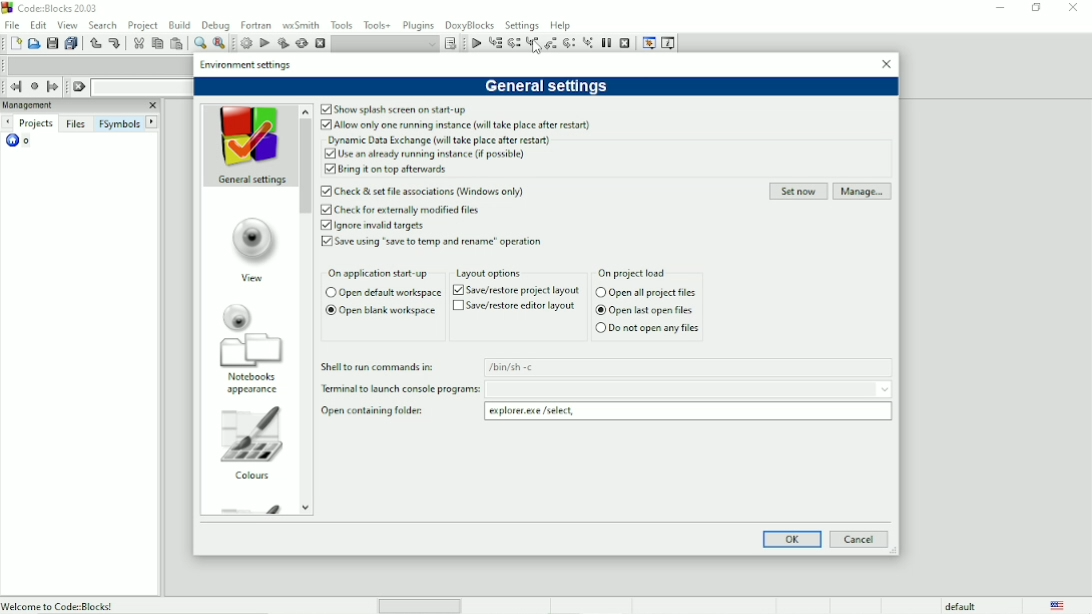 This screenshot has height=614, width=1092. Describe the element at coordinates (306, 110) in the screenshot. I see `scroll up` at that location.